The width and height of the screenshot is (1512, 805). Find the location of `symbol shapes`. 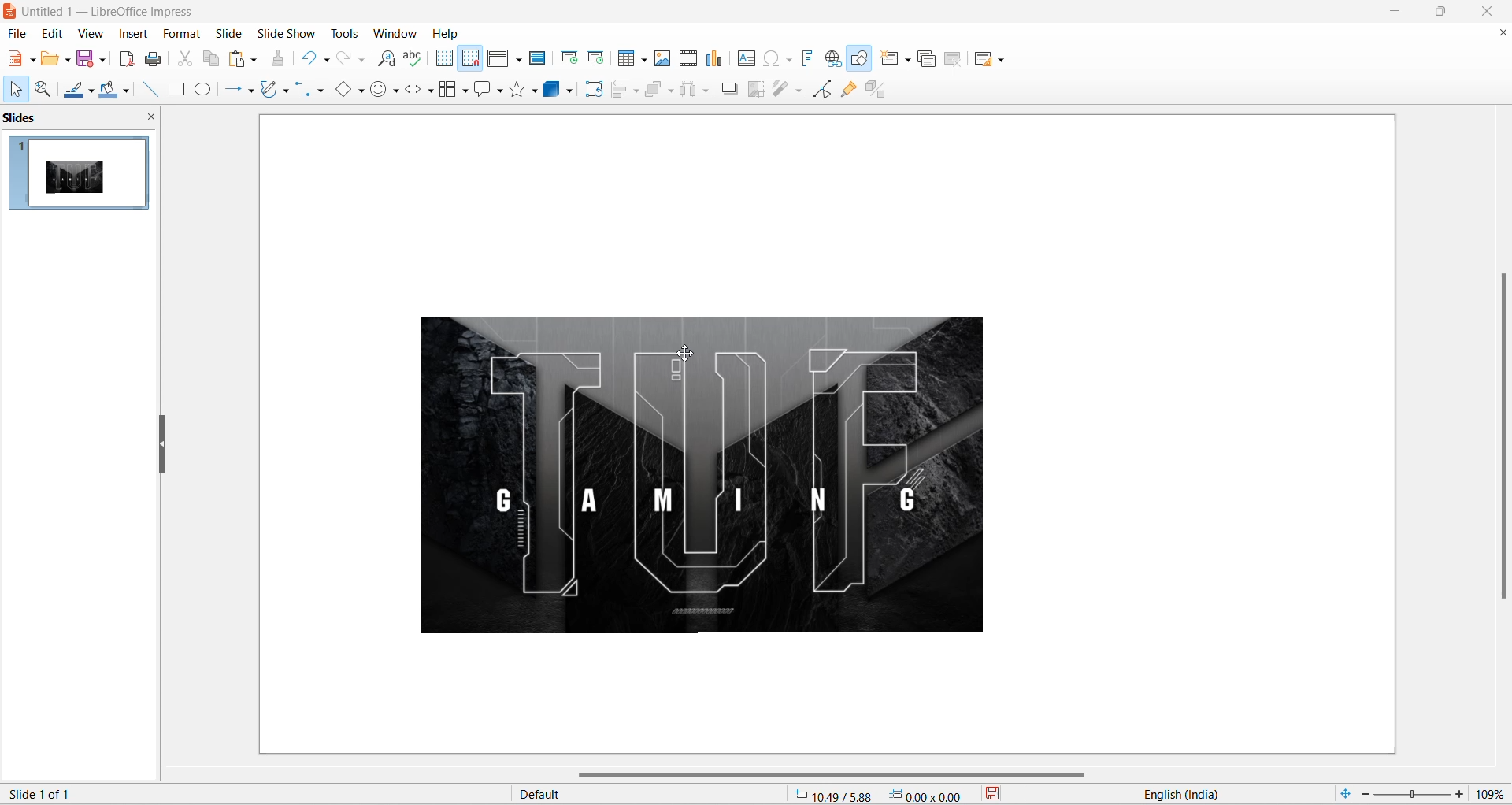

symbol shapes is located at coordinates (398, 93).